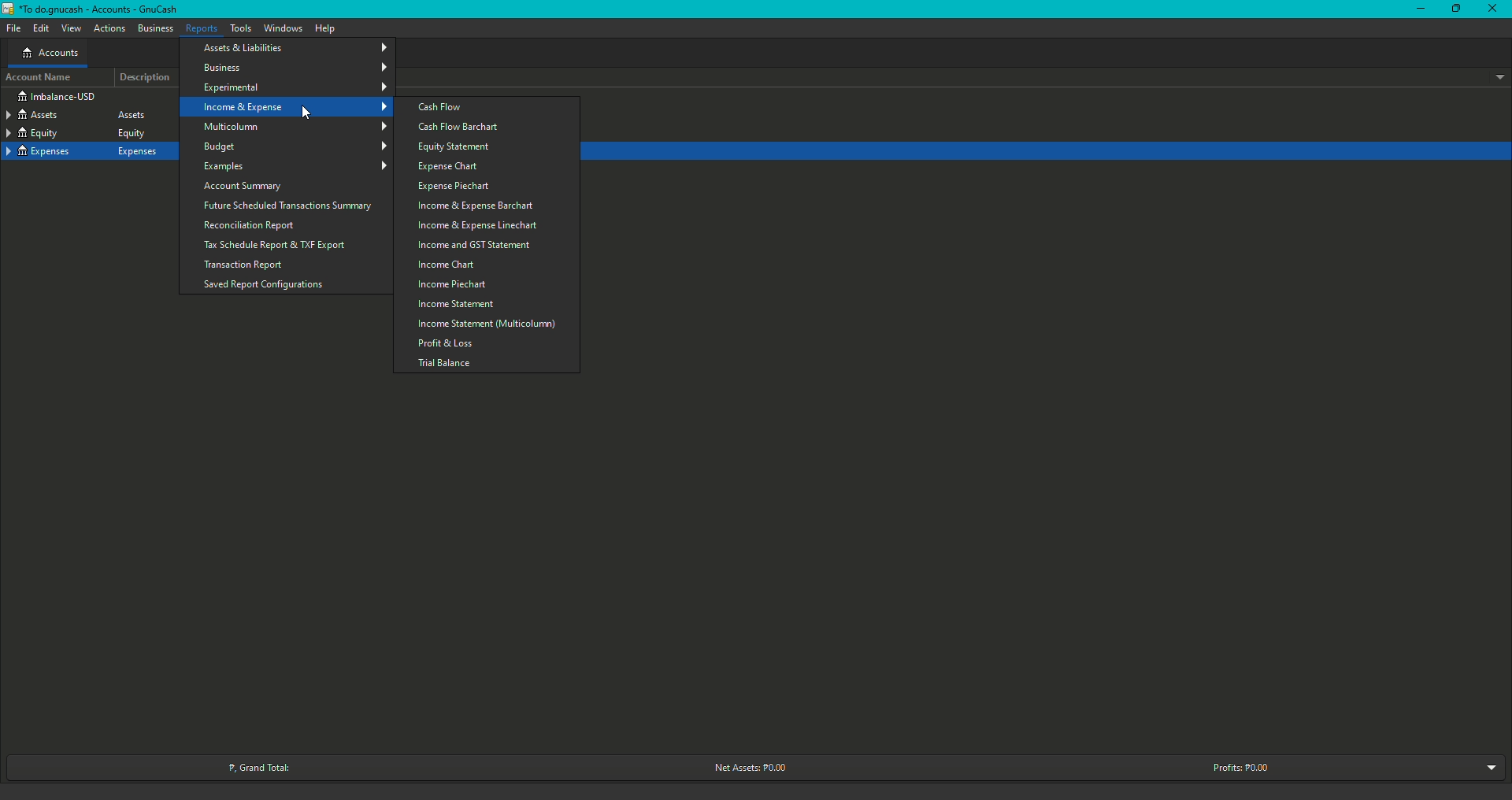 The width and height of the screenshot is (1512, 800). I want to click on Account Name, so click(37, 78).